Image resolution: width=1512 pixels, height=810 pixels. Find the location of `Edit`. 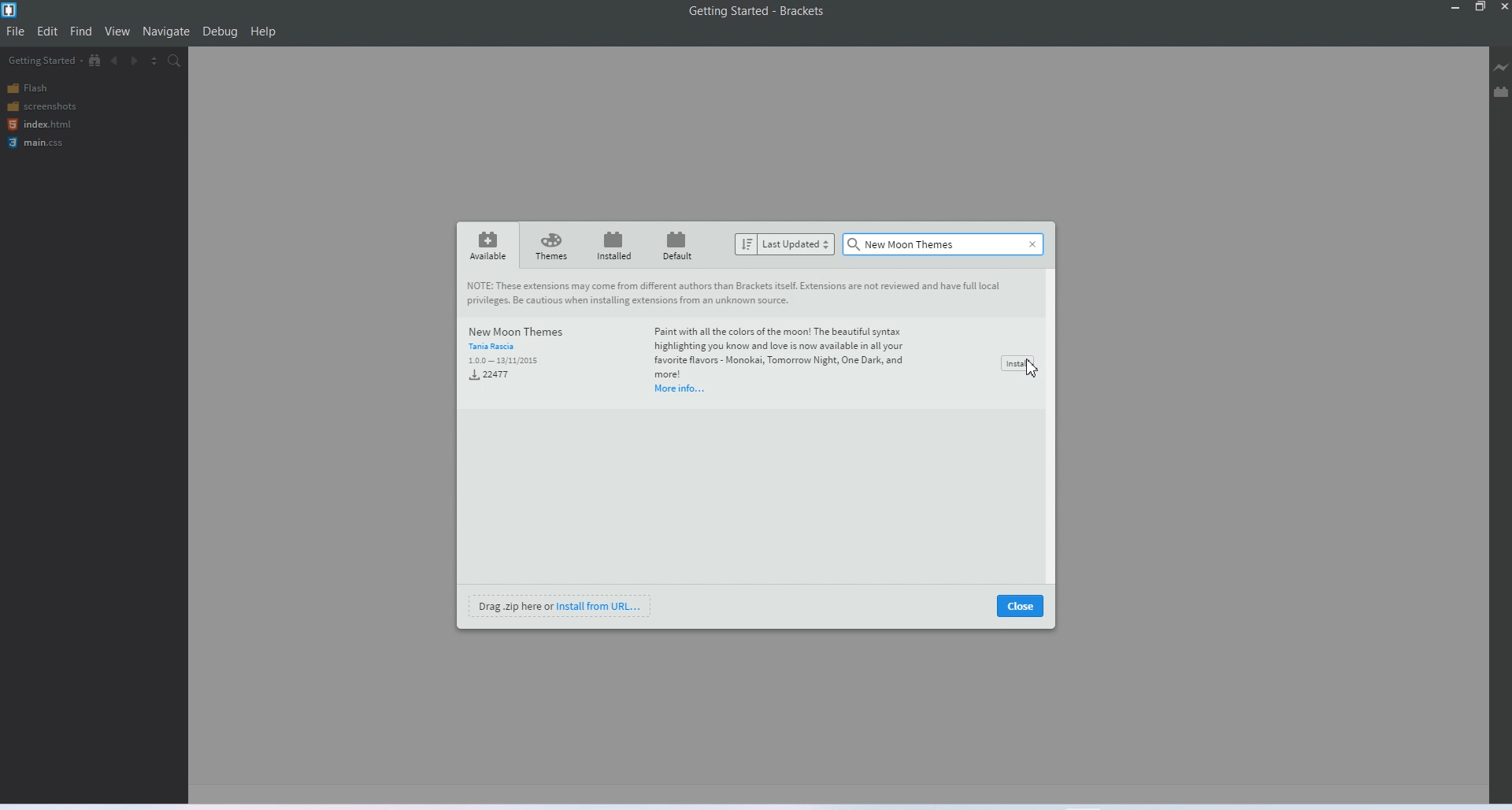

Edit is located at coordinates (48, 31).